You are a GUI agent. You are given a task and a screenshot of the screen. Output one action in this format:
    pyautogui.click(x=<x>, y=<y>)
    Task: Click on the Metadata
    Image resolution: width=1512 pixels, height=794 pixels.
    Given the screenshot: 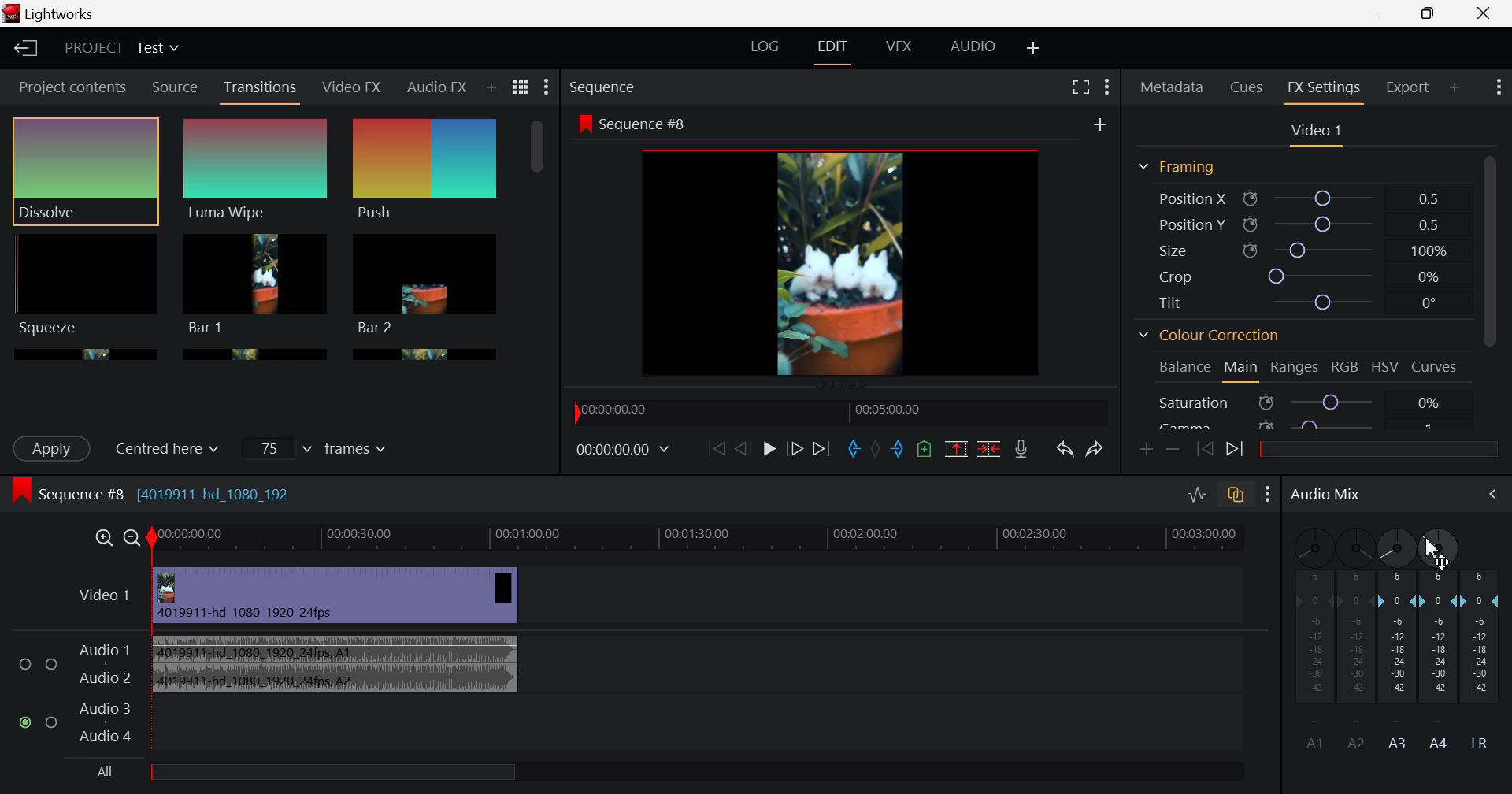 What is the action you would take?
    pyautogui.click(x=1172, y=87)
    